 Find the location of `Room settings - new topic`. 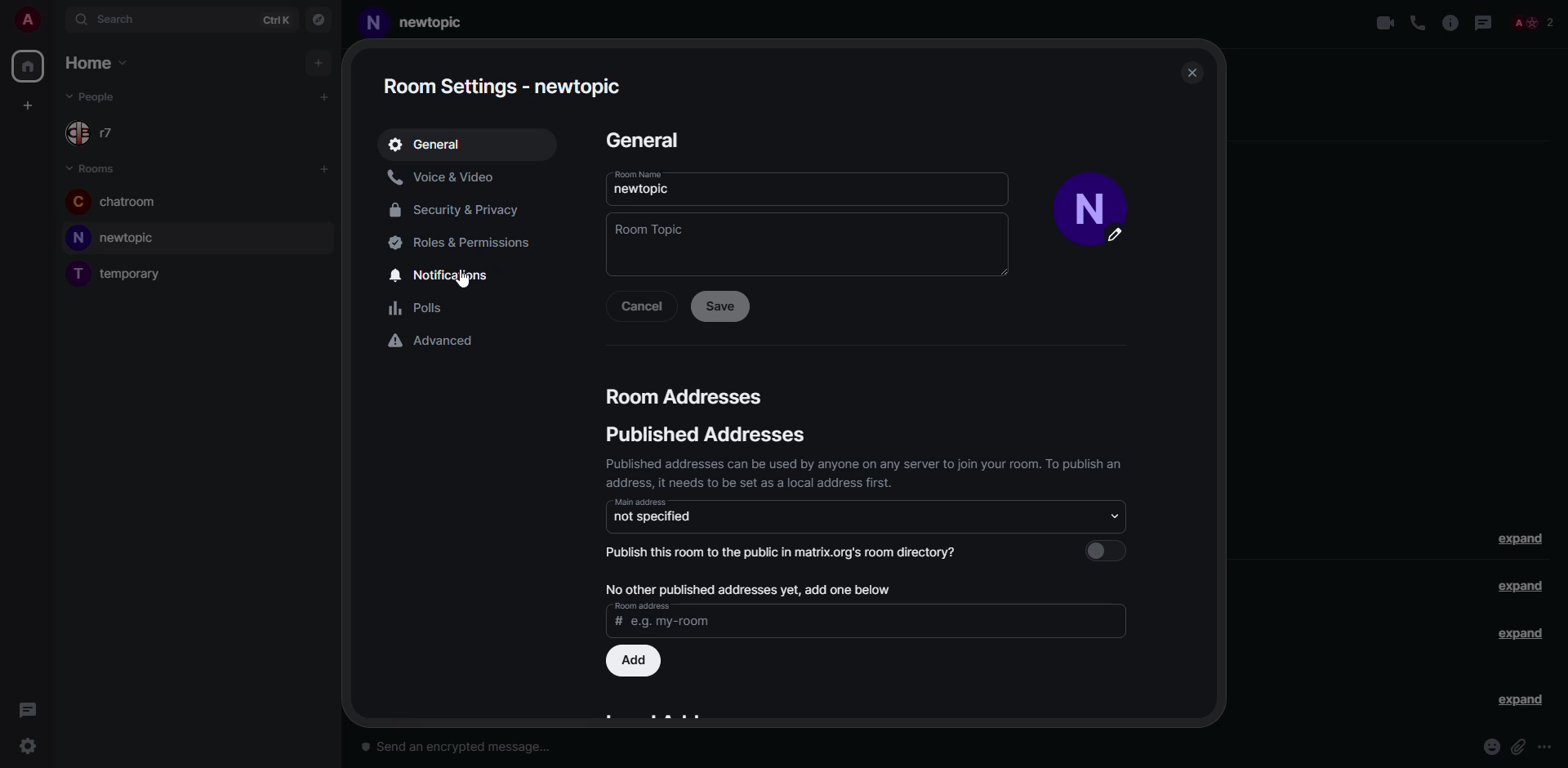

Room settings - new topic is located at coordinates (501, 86).